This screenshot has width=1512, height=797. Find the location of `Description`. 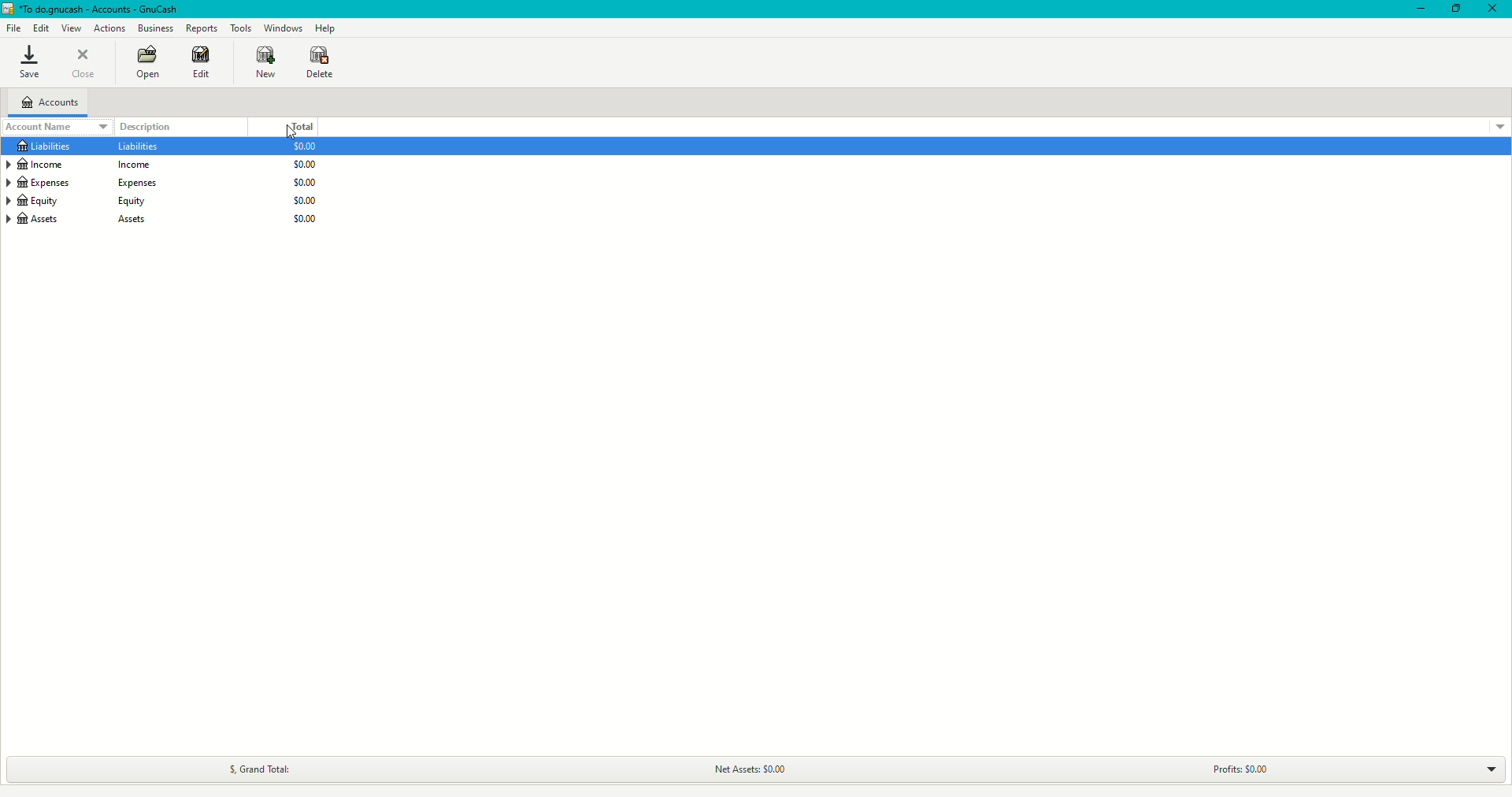

Description is located at coordinates (145, 128).